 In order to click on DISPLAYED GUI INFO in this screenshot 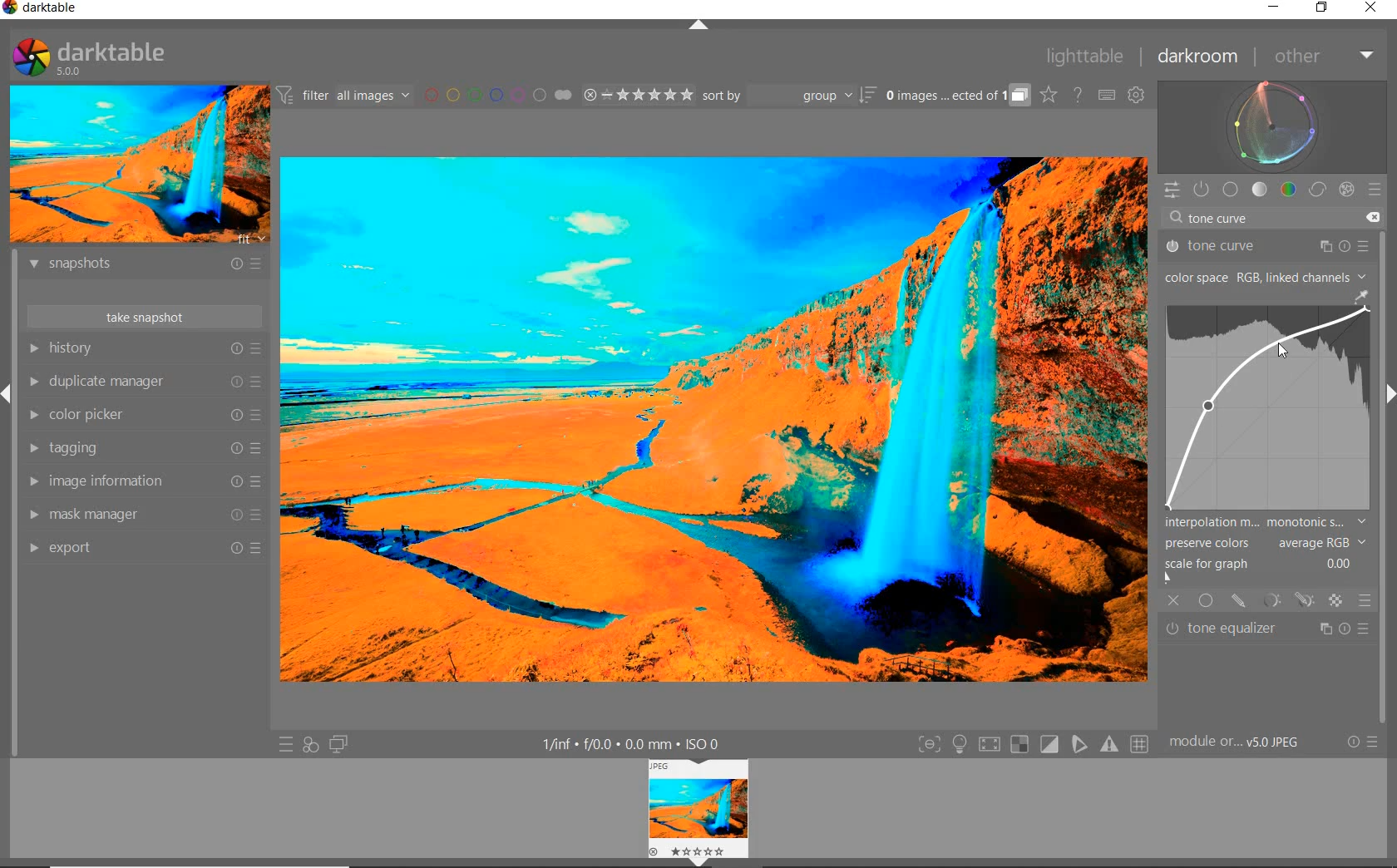, I will do `click(635, 743)`.